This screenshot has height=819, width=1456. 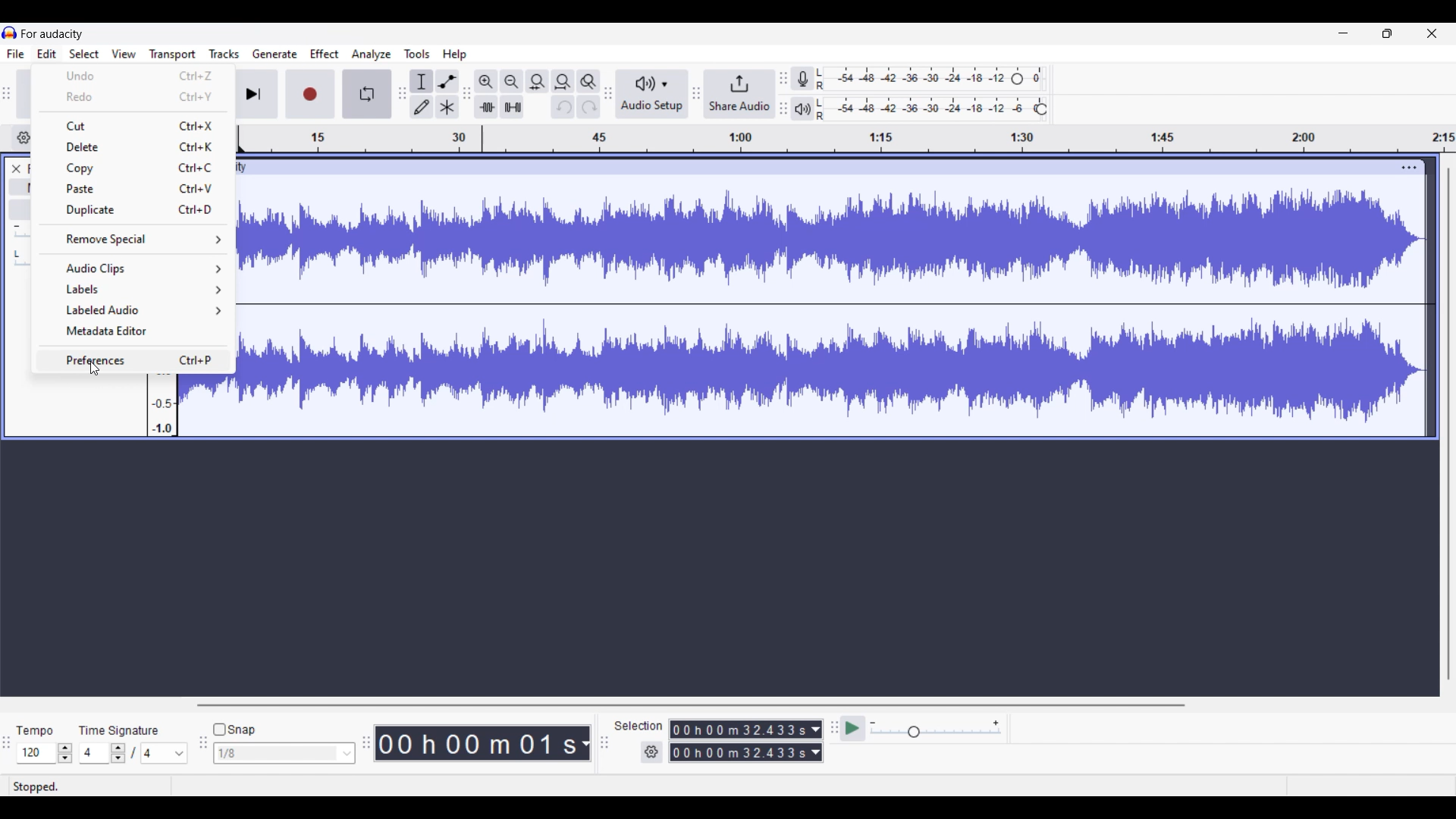 I want to click on Analyze menu, so click(x=372, y=55).